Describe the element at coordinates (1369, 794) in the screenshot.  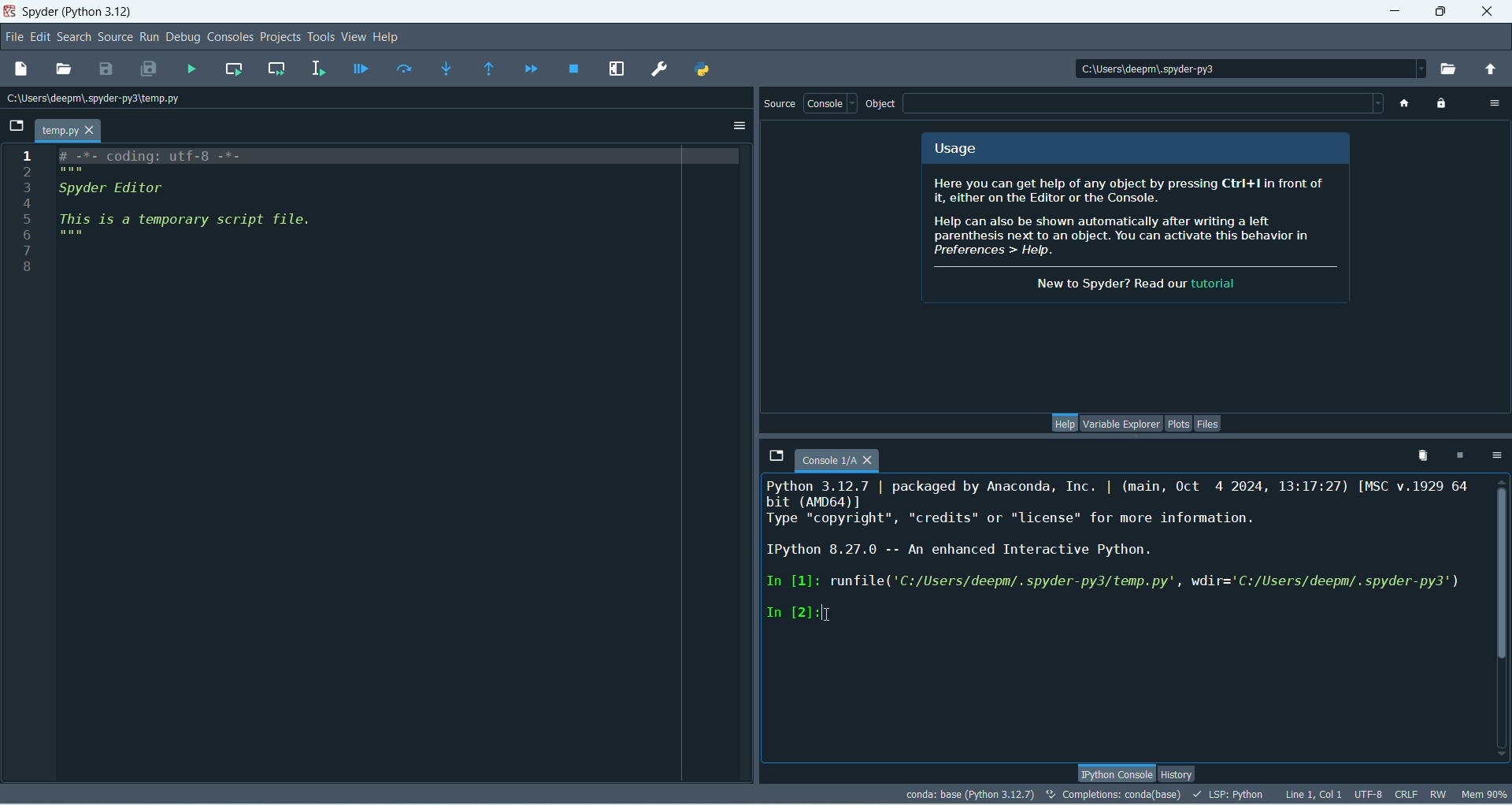
I see `UTF-8` at that location.